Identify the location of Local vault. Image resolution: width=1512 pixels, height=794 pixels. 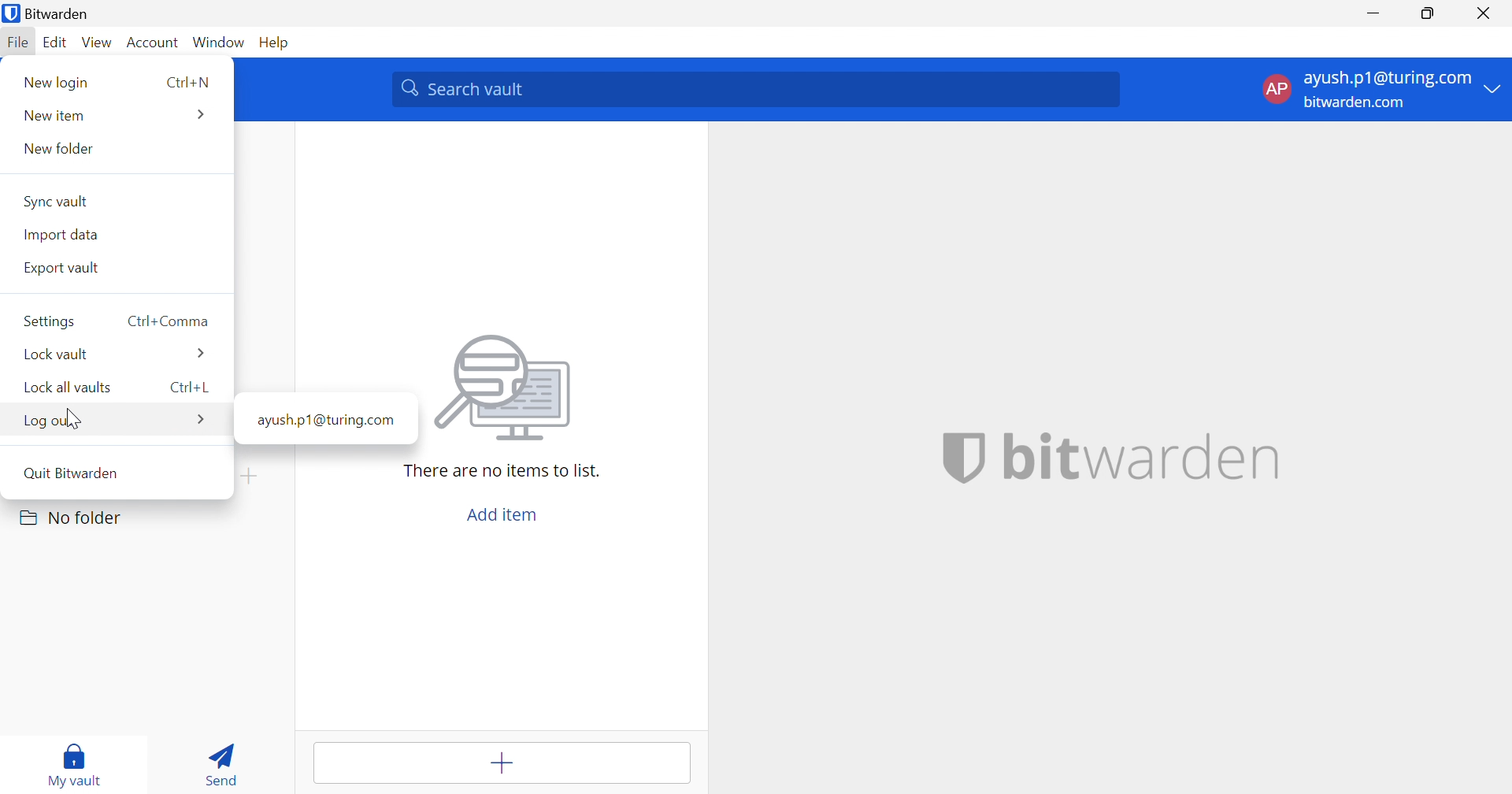
(65, 388).